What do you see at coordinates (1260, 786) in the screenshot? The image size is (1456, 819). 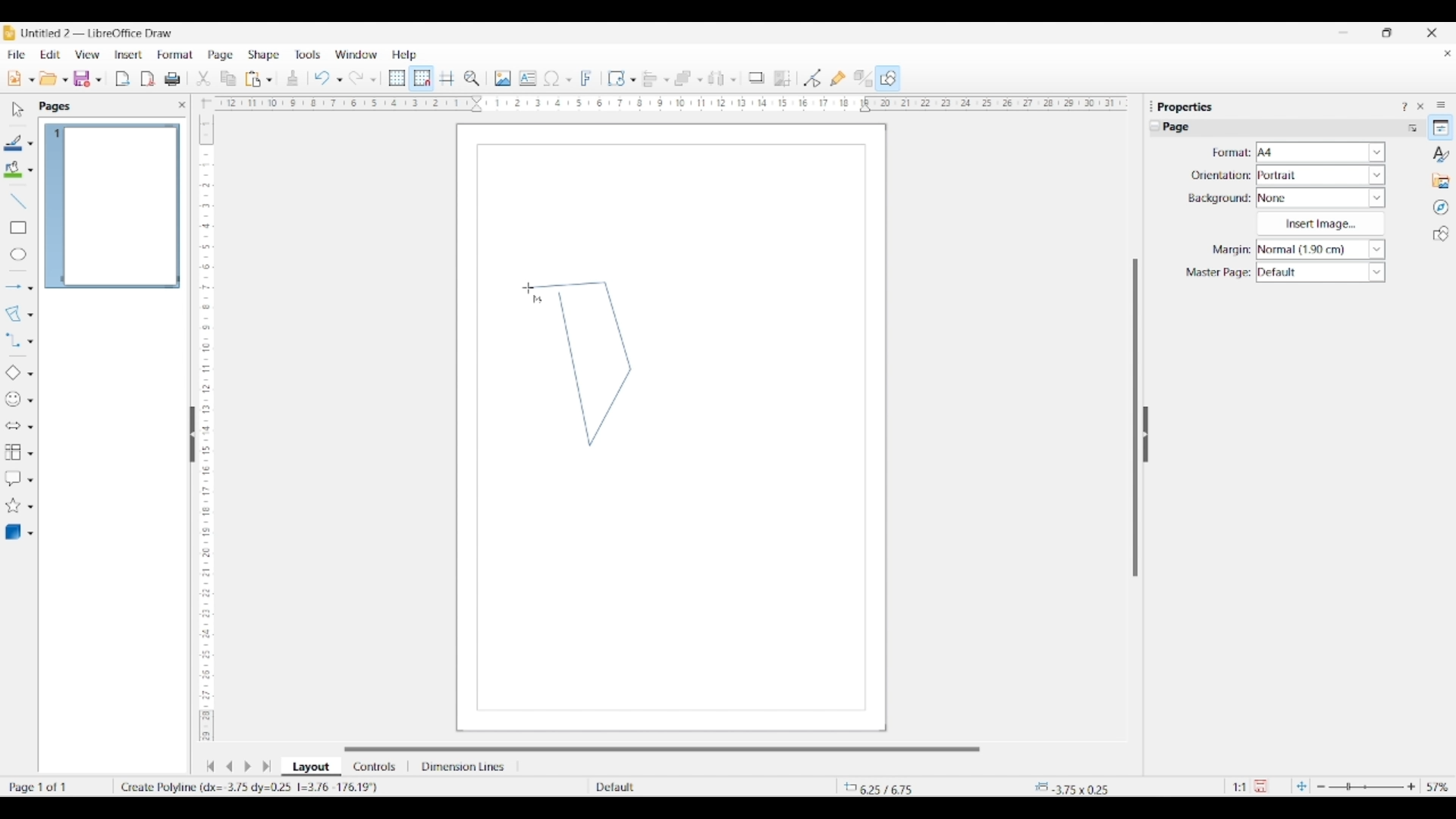 I see `Click to save modifications` at bounding box center [1260, 786].